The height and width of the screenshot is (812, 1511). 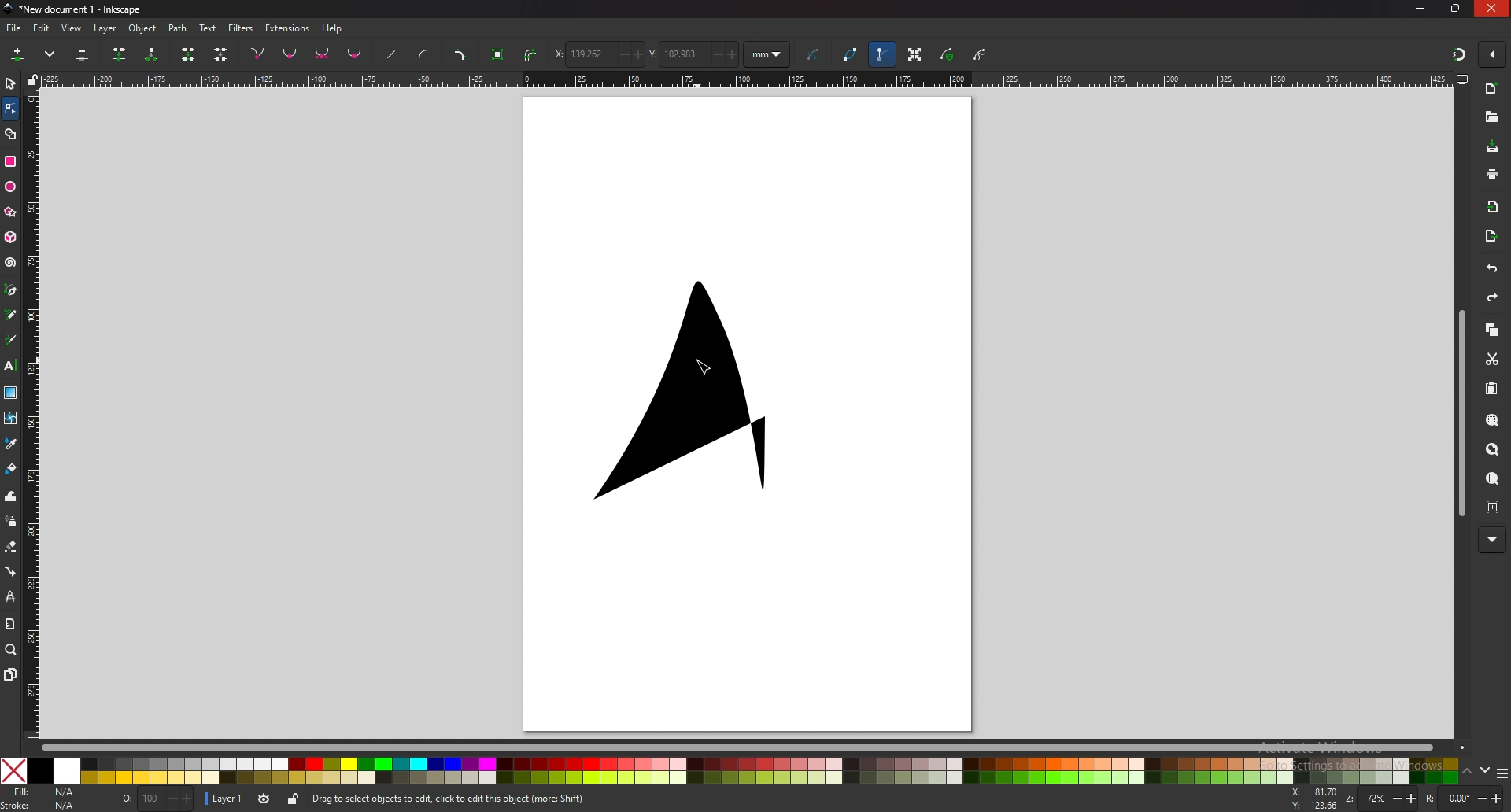 What do you see at coordinates (40, 792) in the screenshot?
I see `fill` at bounding box center [40, 792].